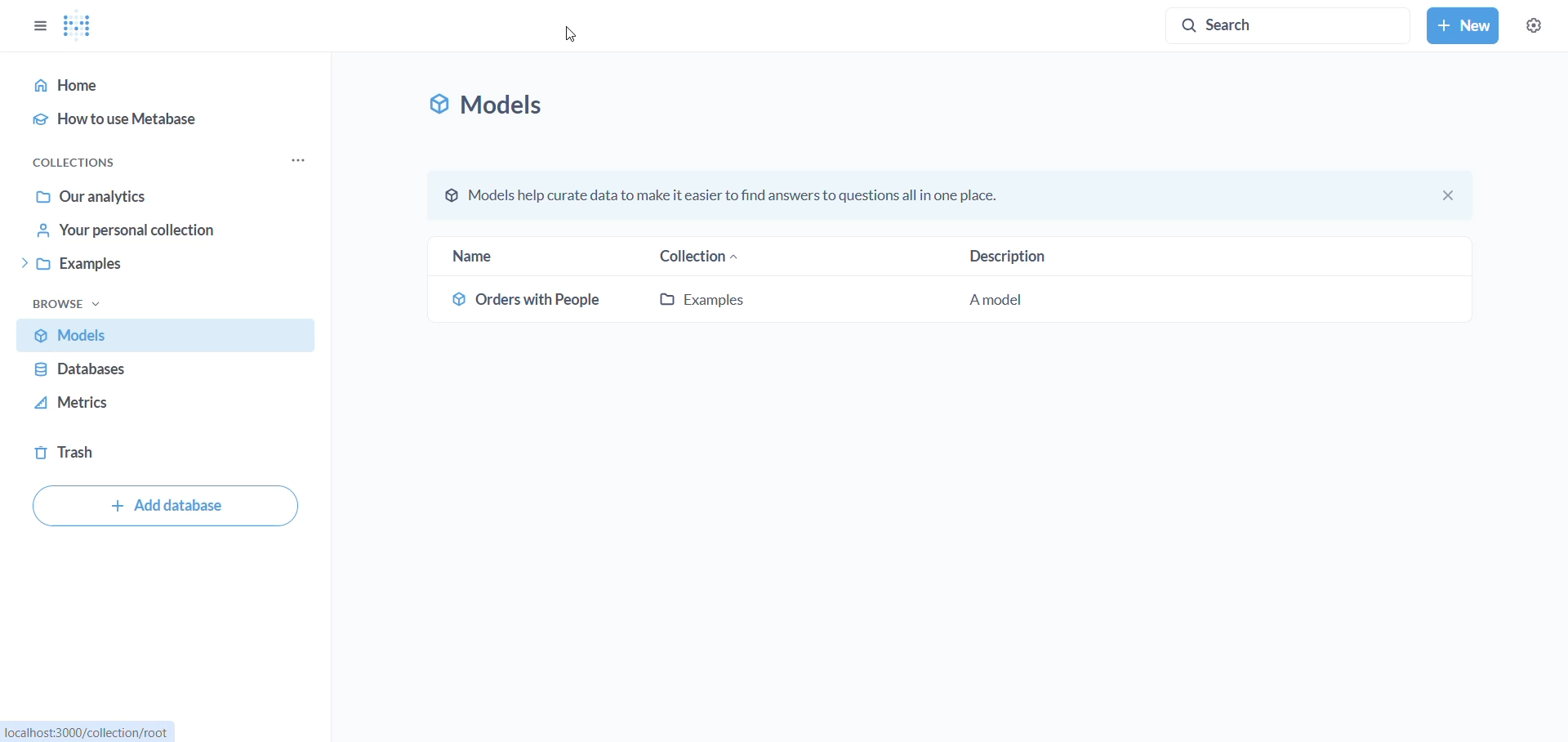 The height and width of the screenshot is (742, 1568). I want to click on collections options, so click(300, 162).